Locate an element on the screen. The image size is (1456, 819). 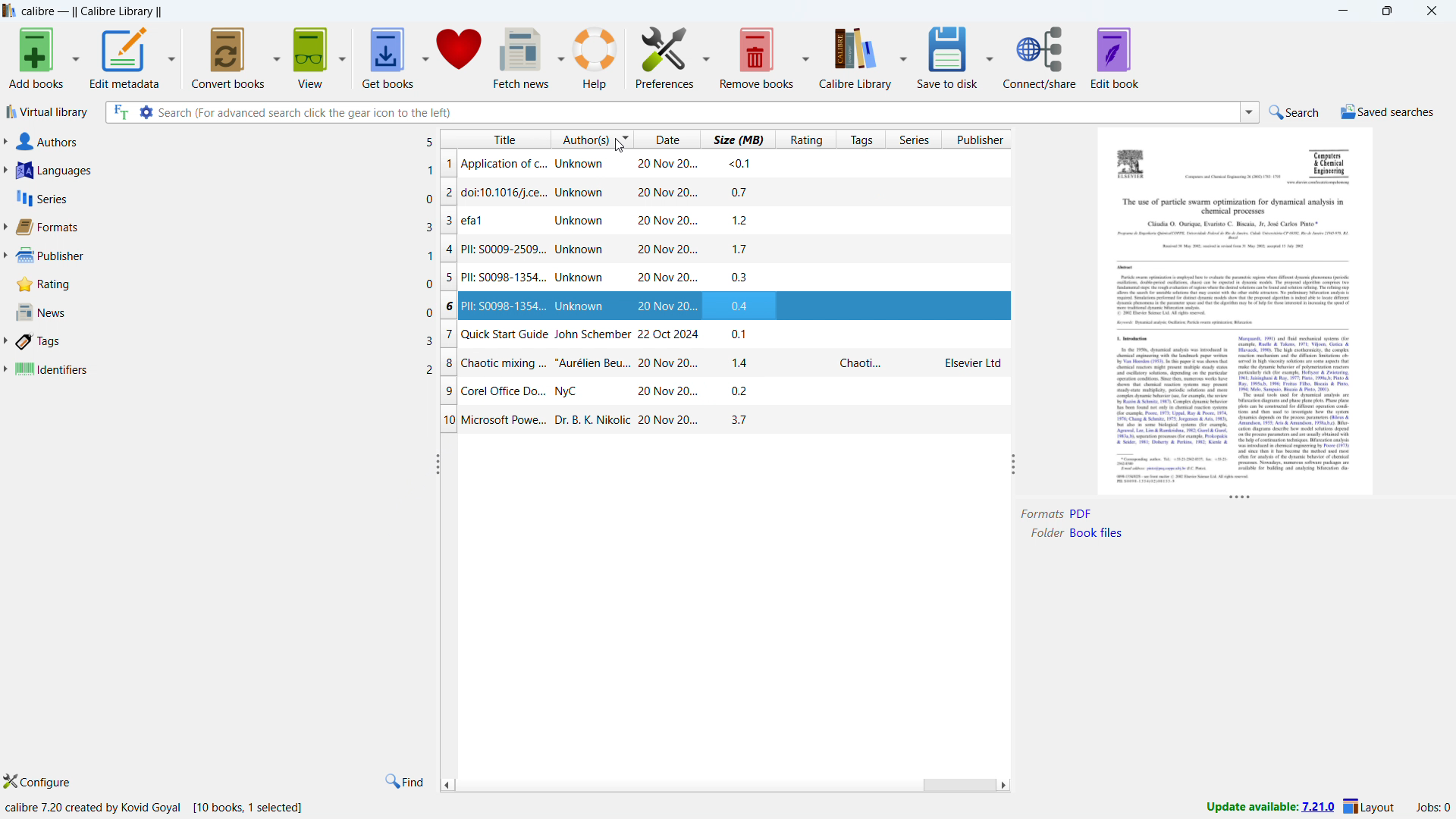
search full text is located at coordinates (121, 112).